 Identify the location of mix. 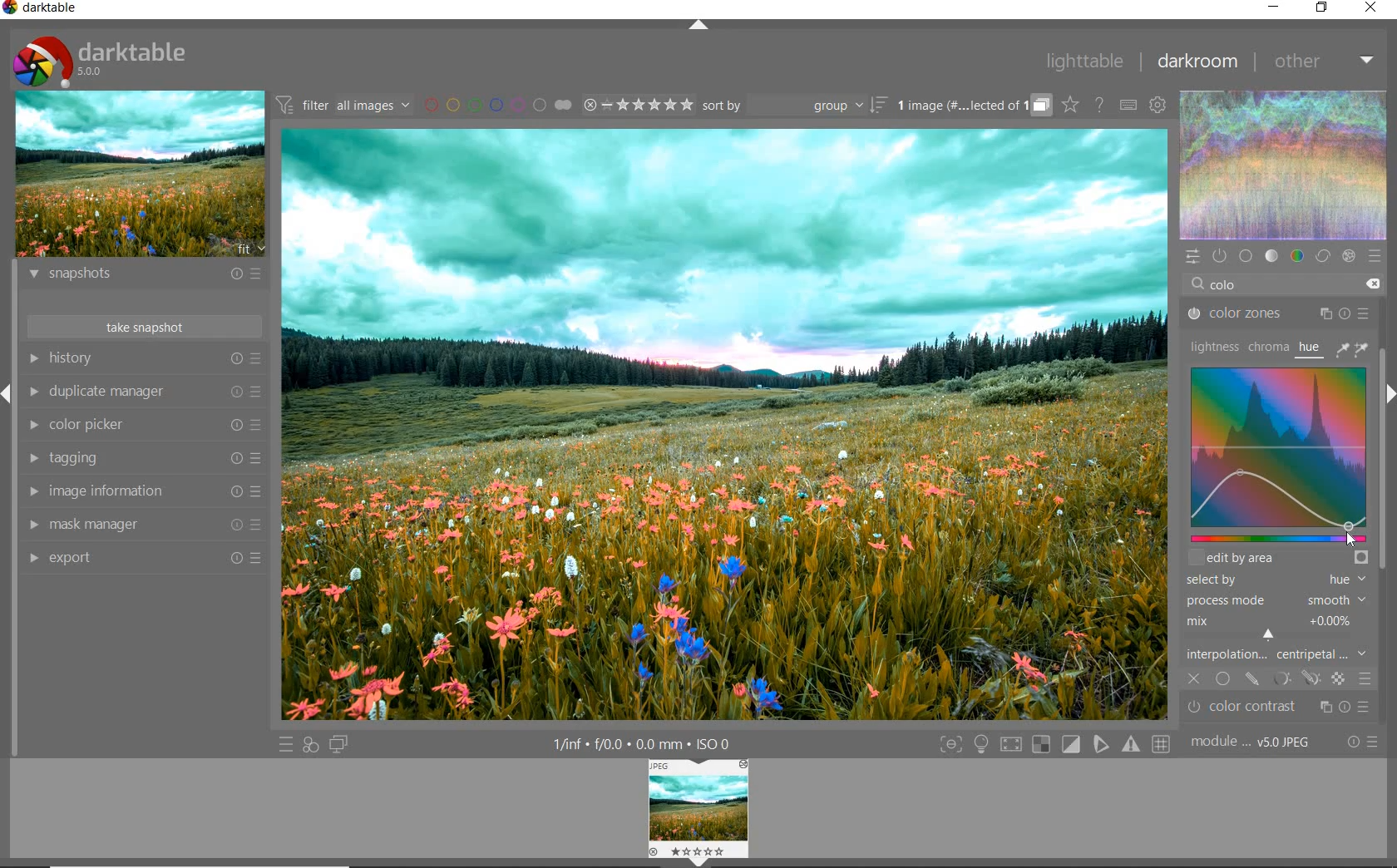
(1279, 628).